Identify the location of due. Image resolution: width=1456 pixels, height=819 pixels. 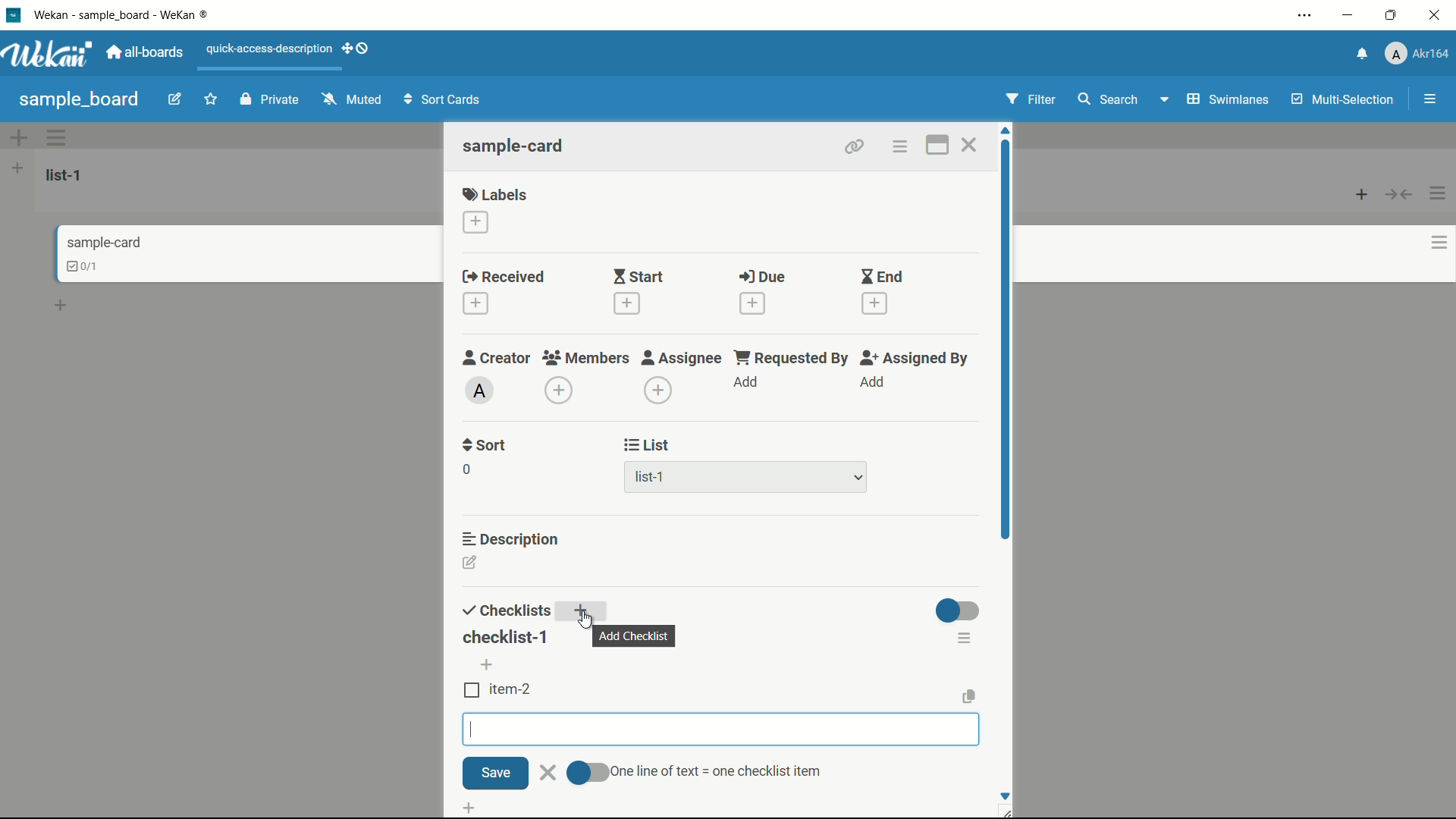
(762, 278).